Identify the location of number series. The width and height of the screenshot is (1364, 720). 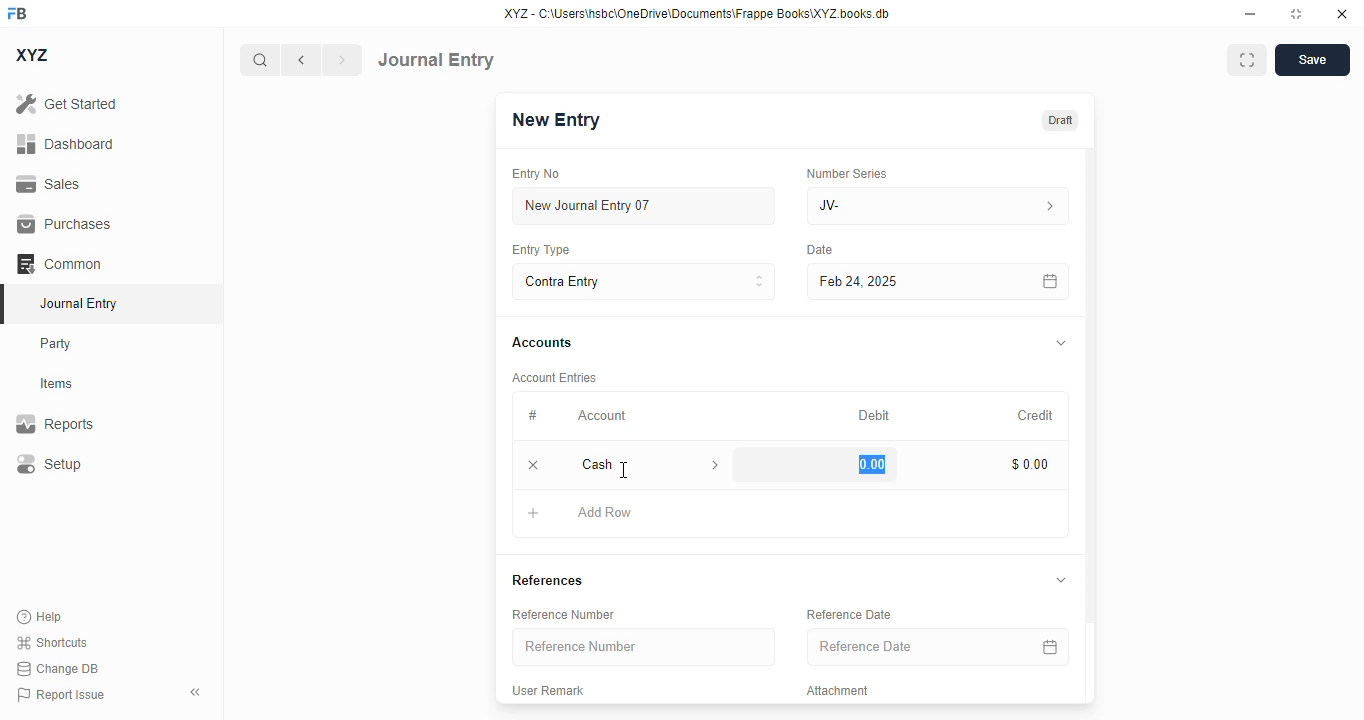
(849, 173).